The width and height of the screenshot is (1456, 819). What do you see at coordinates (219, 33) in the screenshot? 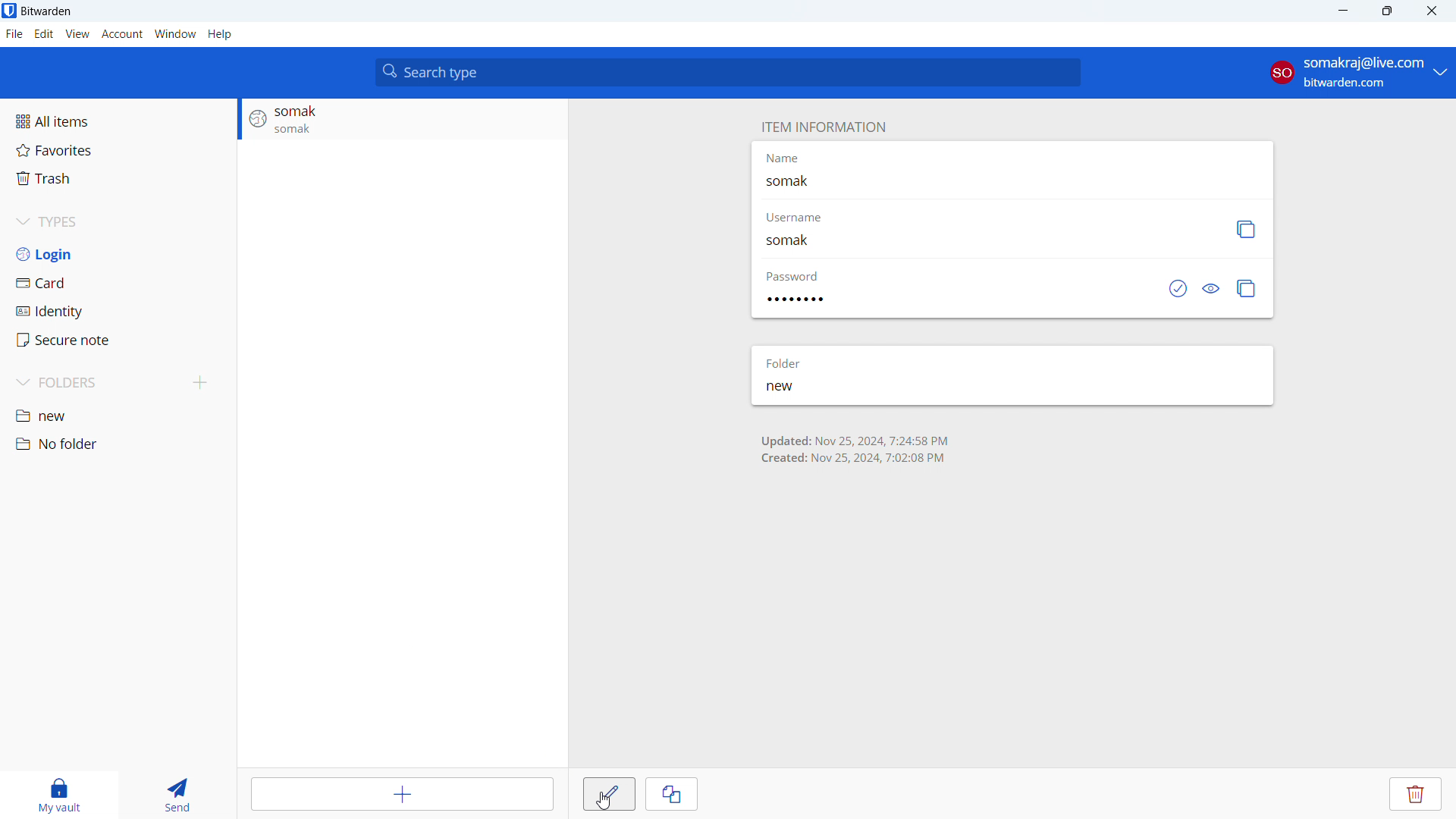
I see `help` at bounding box center [219, 33].